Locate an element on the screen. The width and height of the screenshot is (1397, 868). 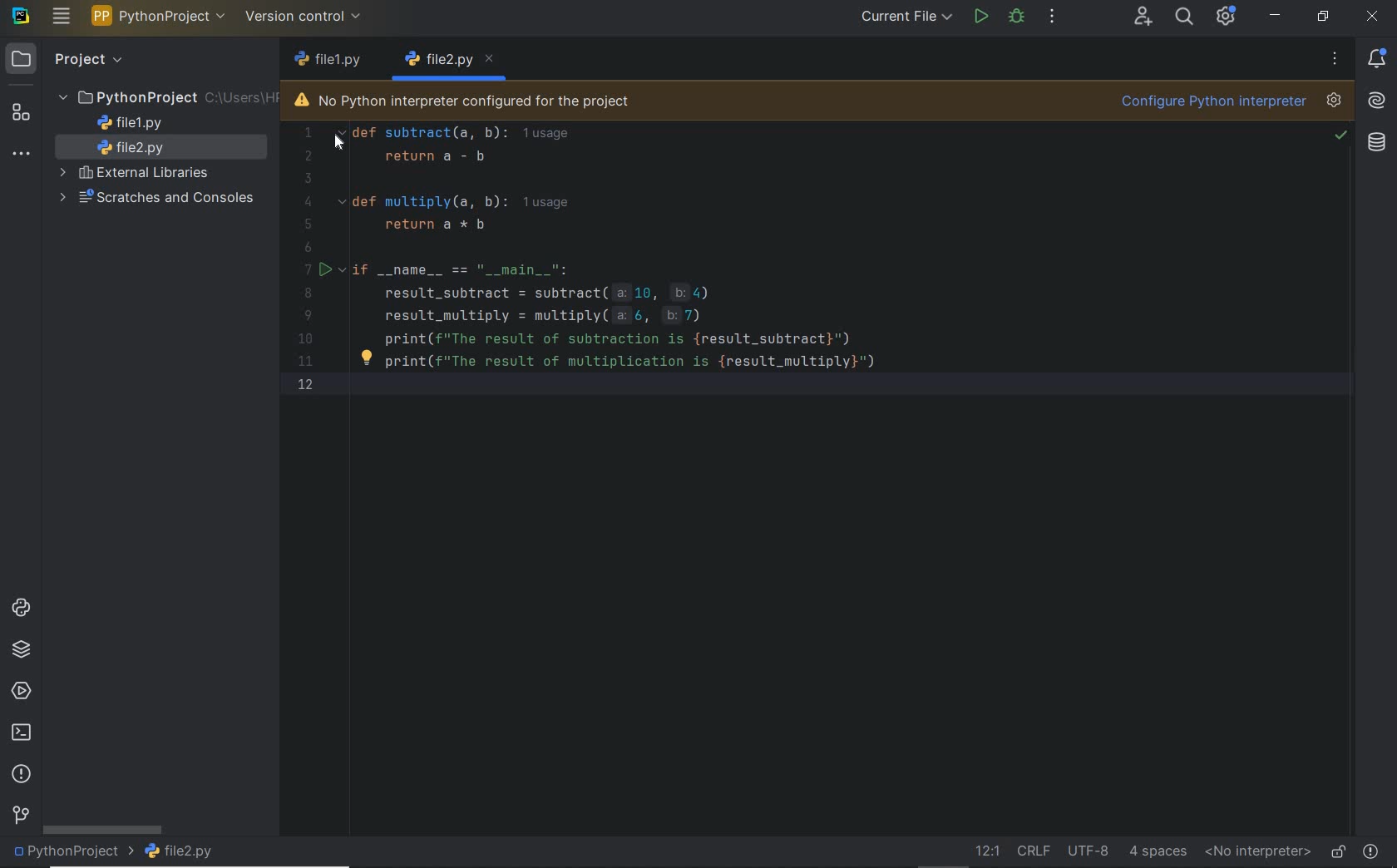
restore down is located at coordinates (1321, 16).